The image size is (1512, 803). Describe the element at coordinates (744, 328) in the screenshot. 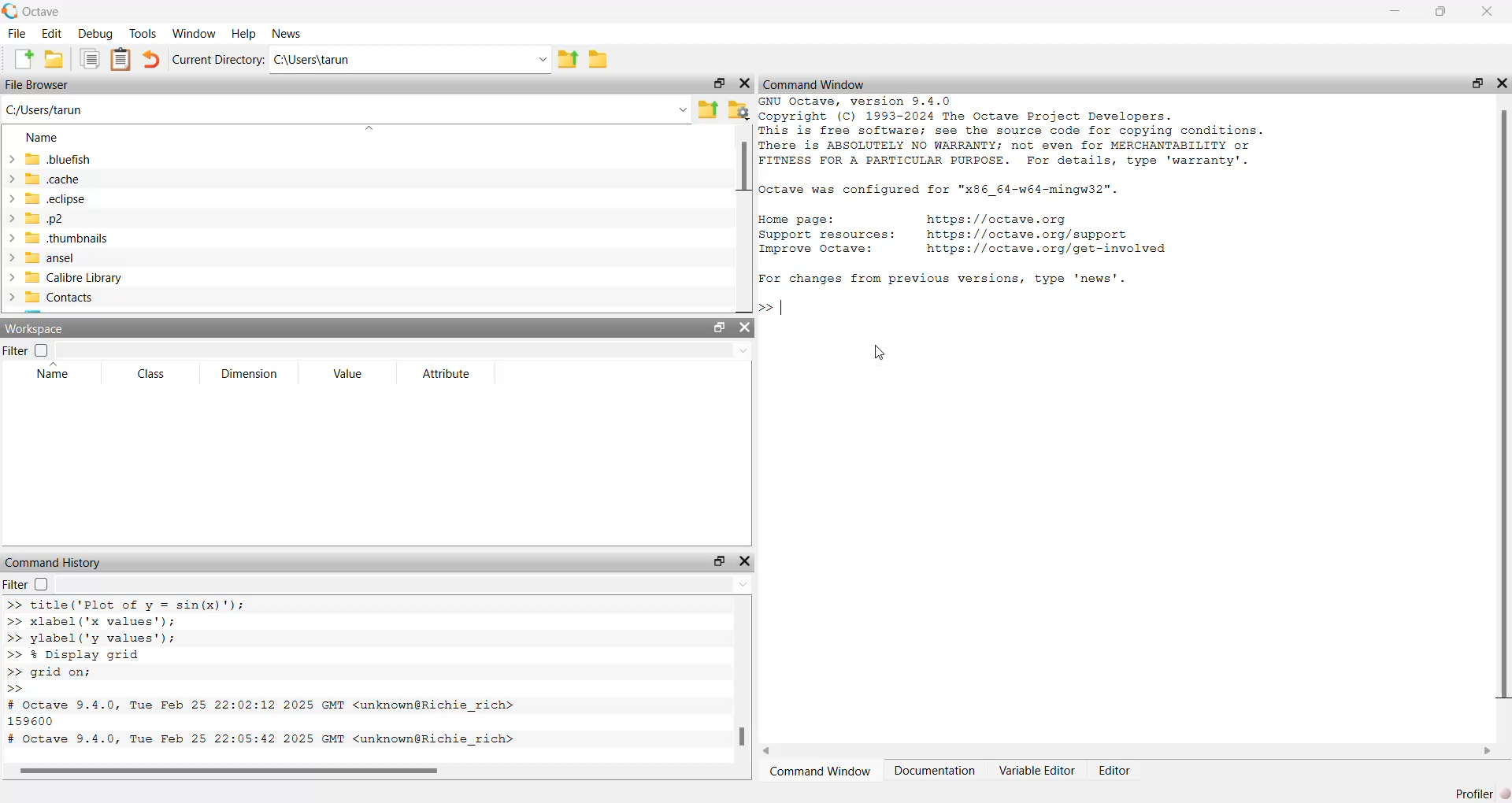

I see `close` at that location.